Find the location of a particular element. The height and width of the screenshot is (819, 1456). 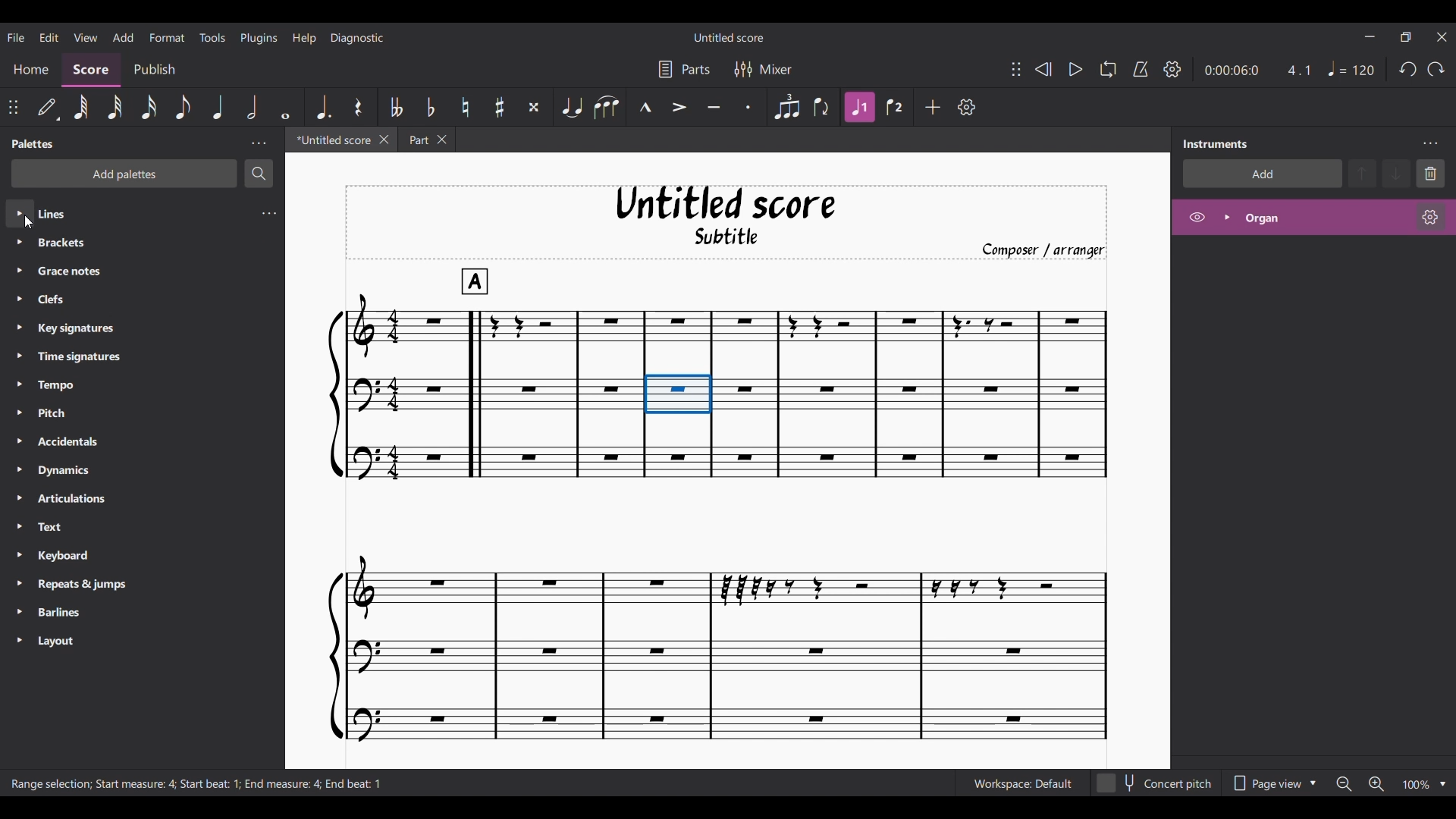

64th note is located at coordinates (81, 108).